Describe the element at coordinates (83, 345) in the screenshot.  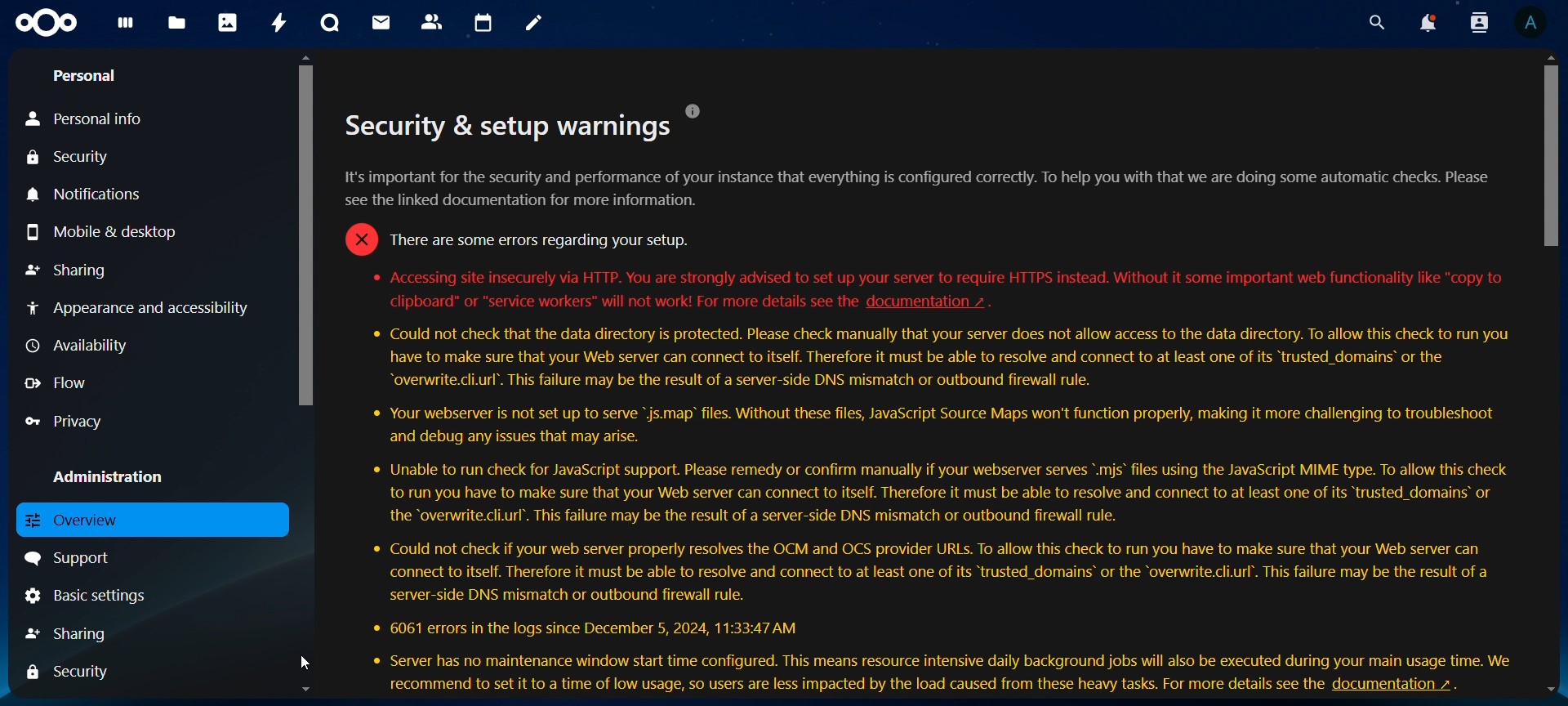
I see `availability` at that location.